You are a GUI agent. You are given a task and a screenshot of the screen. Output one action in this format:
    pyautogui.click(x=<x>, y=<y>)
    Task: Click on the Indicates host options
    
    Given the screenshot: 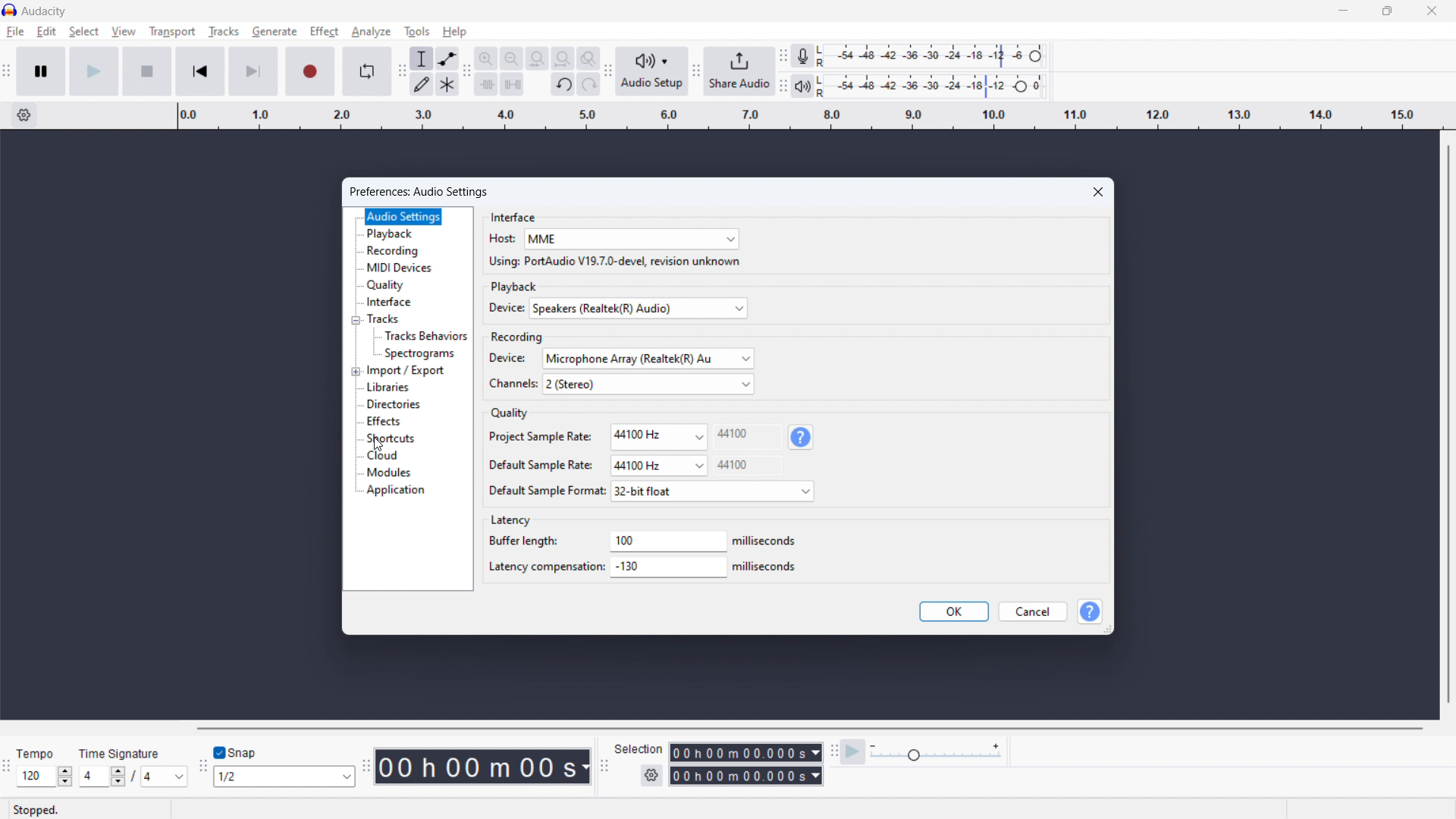 What is the action you would take?
    pyautogui.click(x=503, y=238)
    